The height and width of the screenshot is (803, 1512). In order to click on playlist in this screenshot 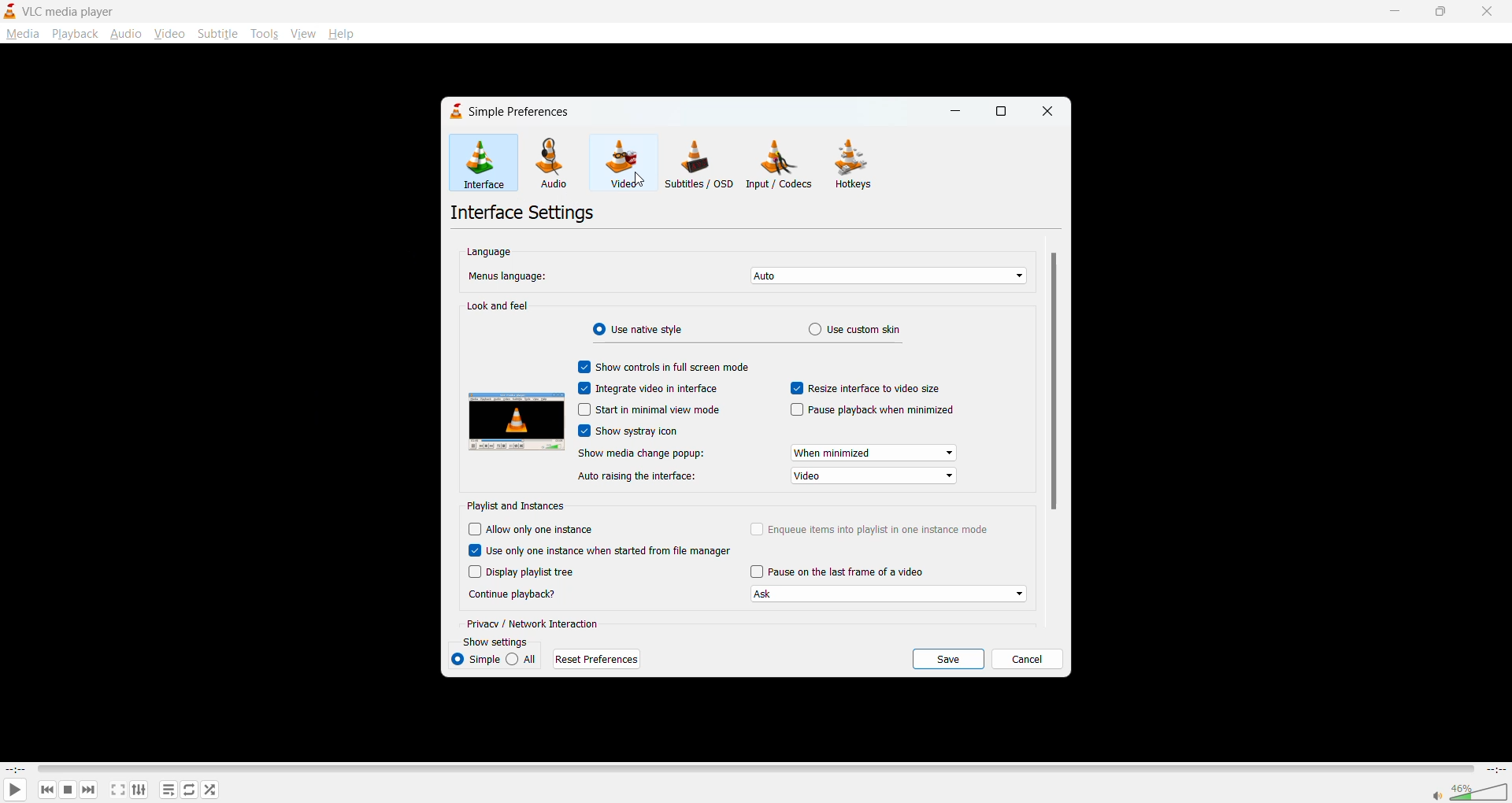, I will do `click(169, 790)`.